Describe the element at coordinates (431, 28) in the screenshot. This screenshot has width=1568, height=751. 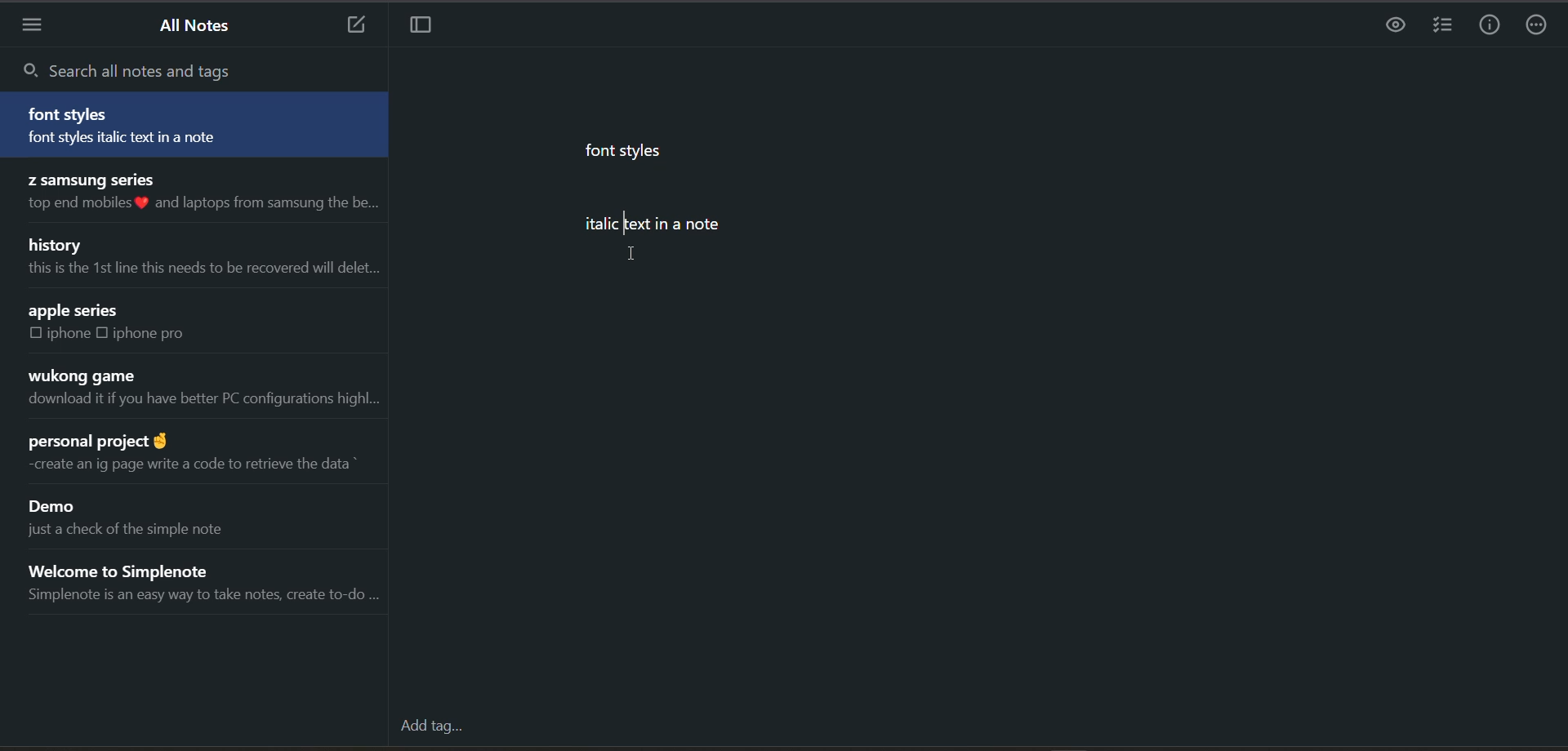
I see `toggle focus mode` at that location.